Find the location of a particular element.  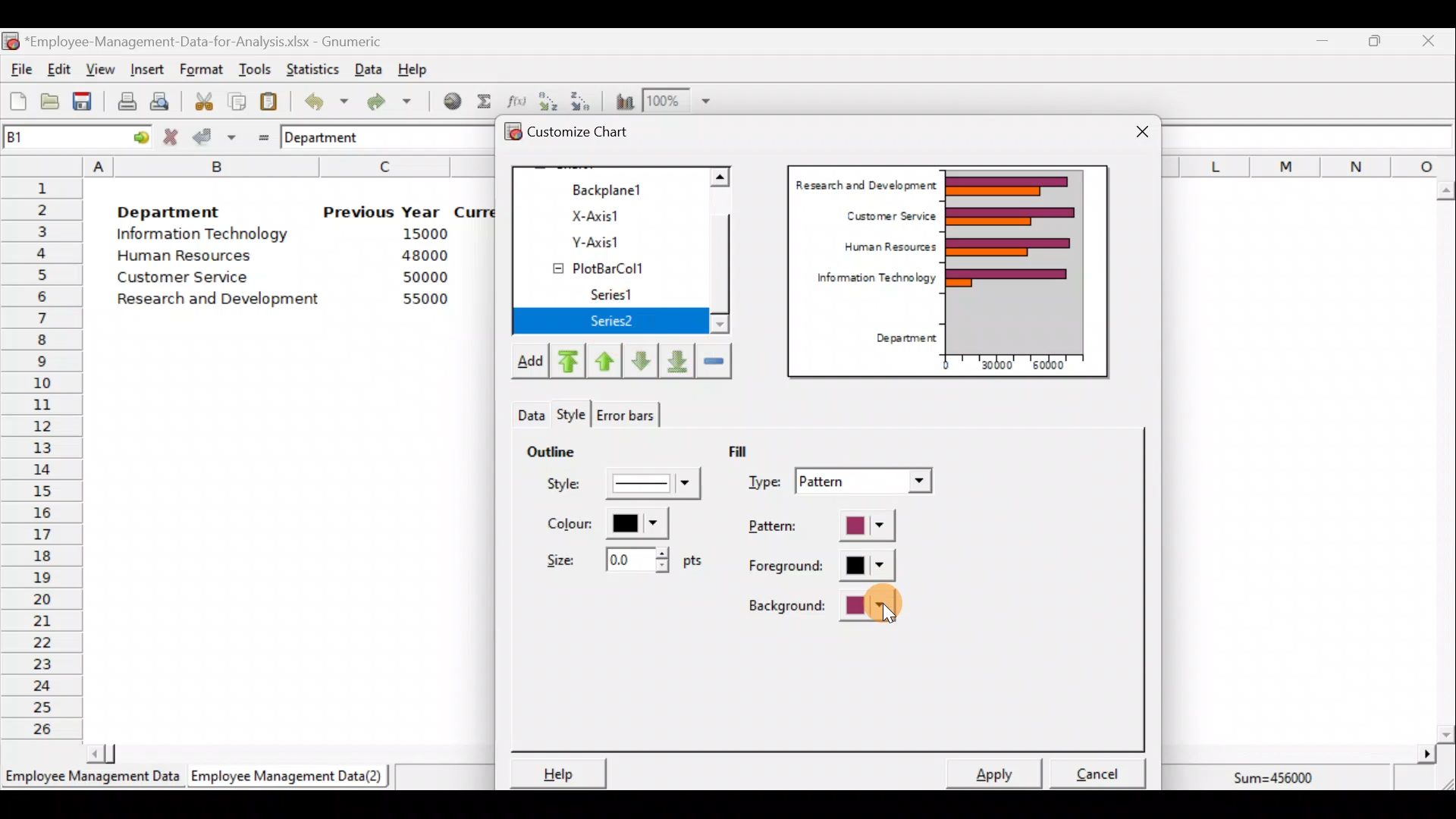

55000 is located at coordinates (426, 299).